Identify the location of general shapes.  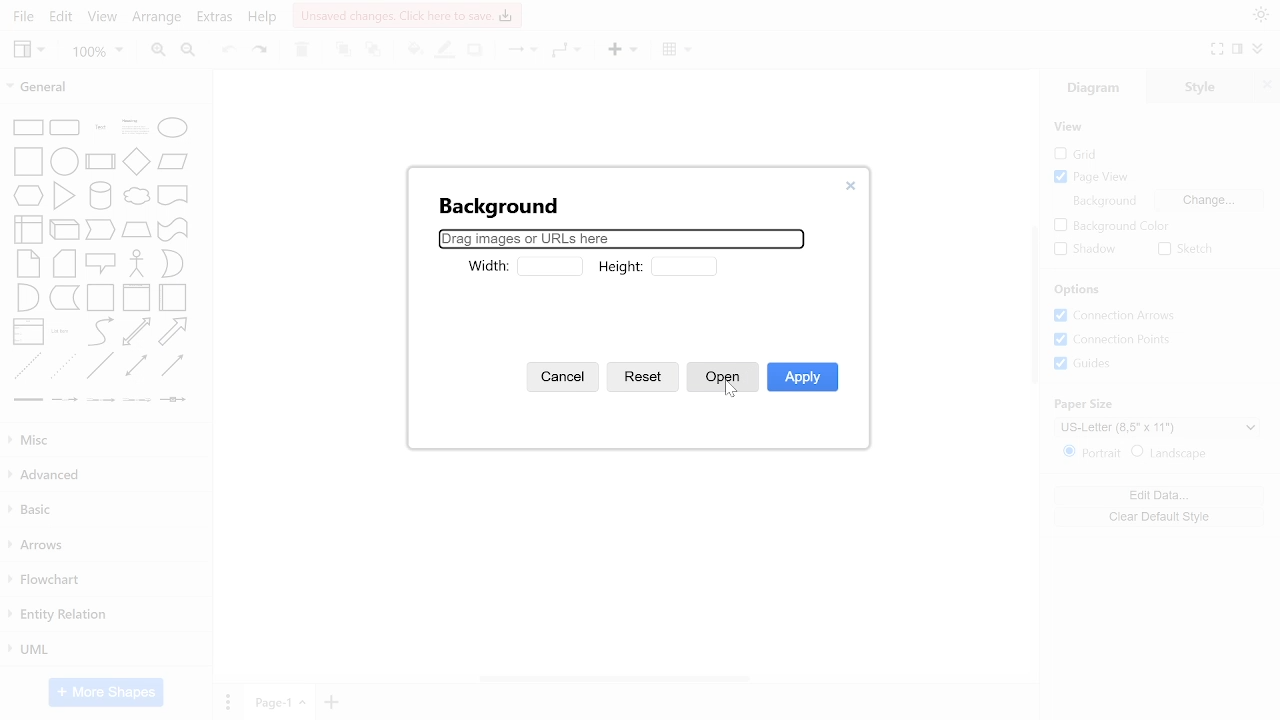
(172, 332).